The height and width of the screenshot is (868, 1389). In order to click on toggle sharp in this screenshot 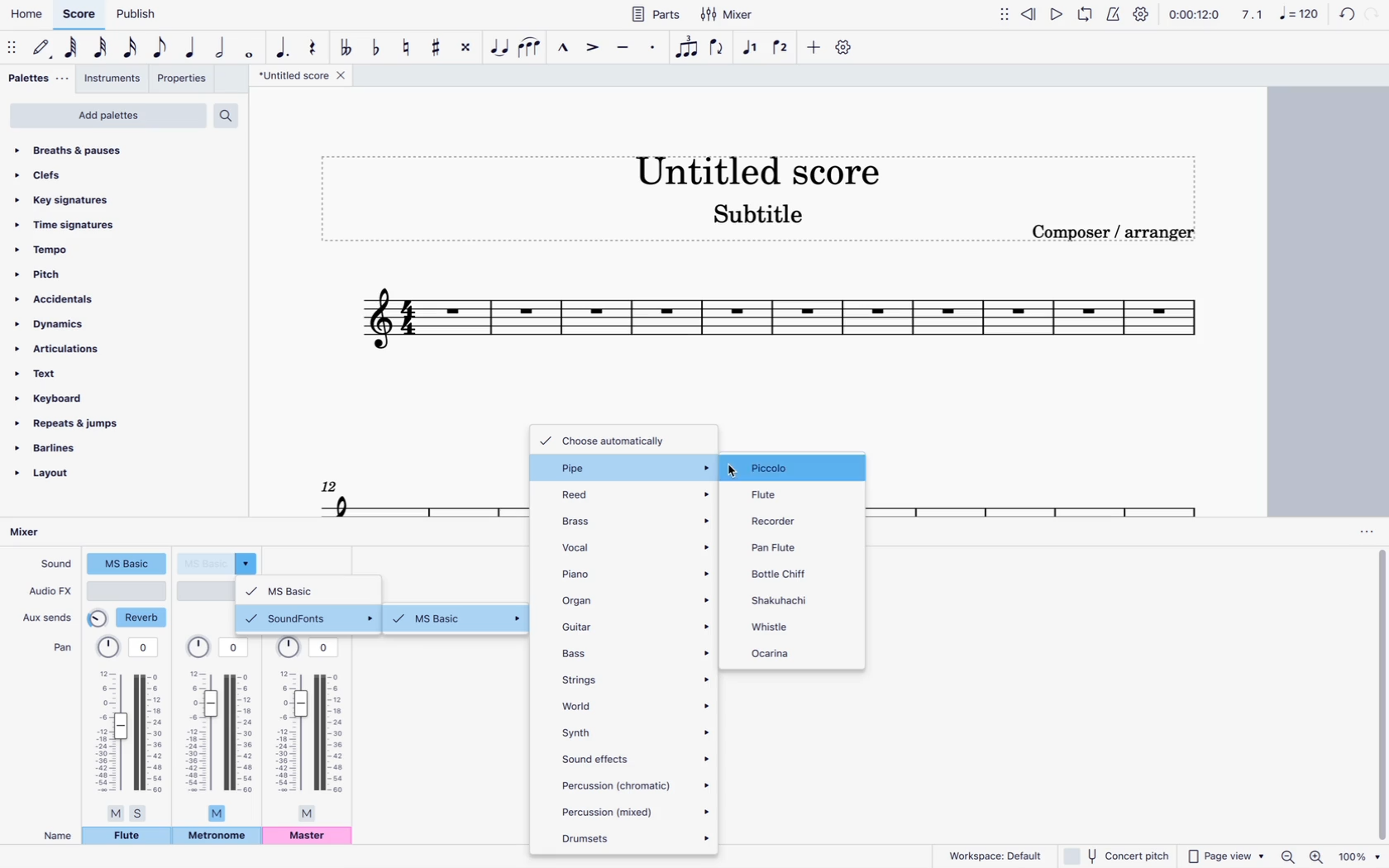, I will do `click(438, 50)`.